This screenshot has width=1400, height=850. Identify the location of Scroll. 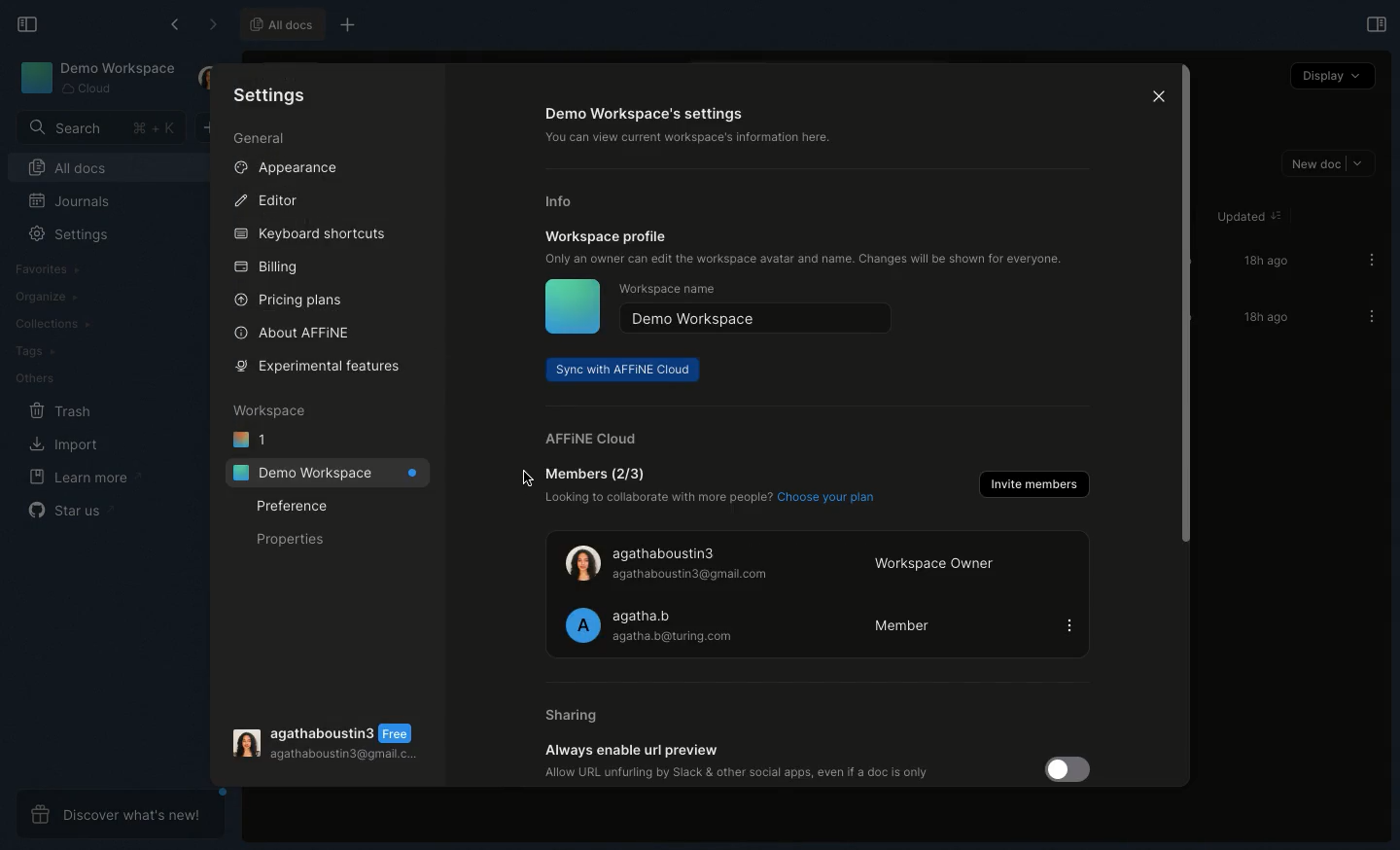
(1183, 308).